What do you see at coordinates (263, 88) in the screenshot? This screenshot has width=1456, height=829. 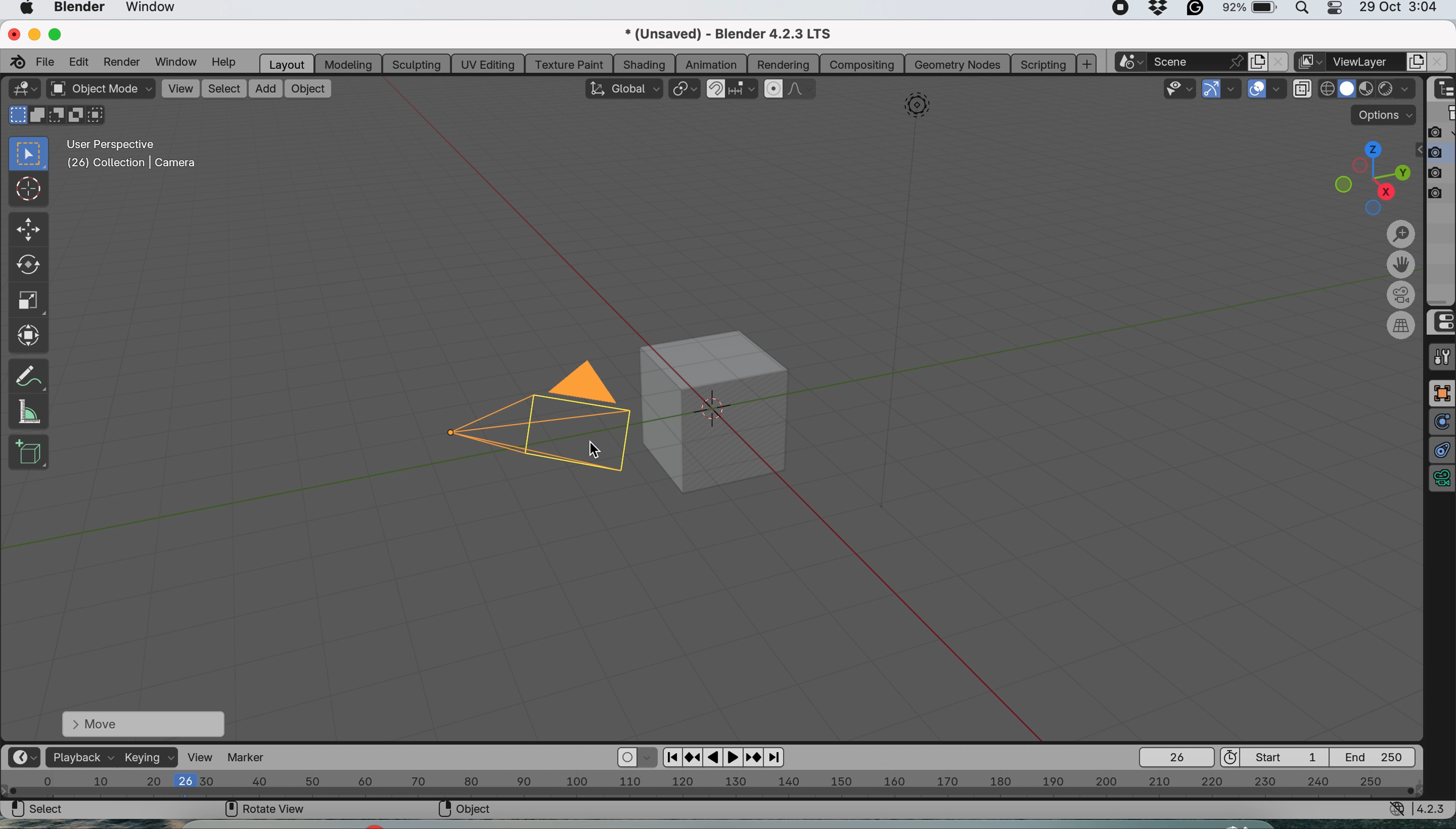 I see `add` at bounding box center [263, 88].